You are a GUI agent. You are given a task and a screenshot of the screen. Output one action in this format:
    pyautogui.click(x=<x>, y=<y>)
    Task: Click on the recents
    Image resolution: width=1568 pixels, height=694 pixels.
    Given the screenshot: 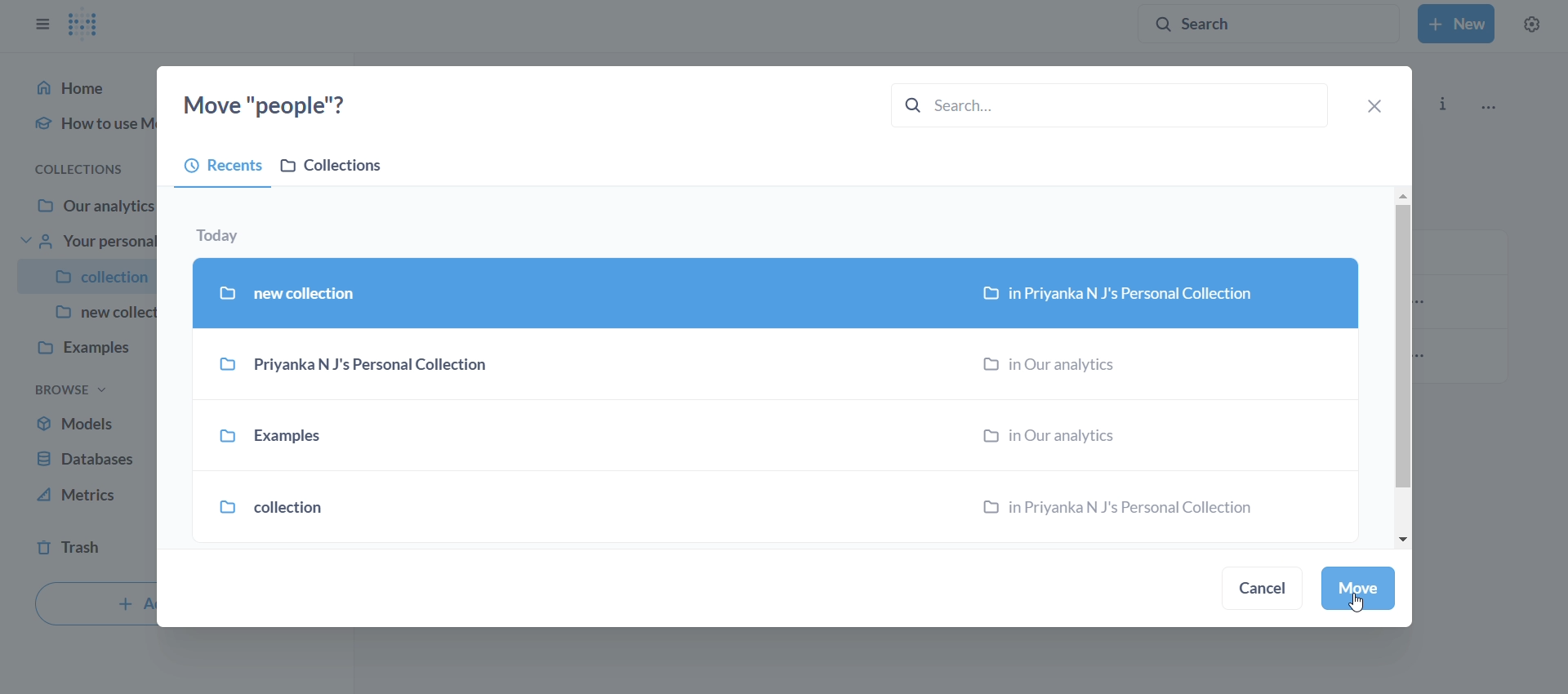 What is the action you would take?
    pyautogui.click(x=214, y=169)
    